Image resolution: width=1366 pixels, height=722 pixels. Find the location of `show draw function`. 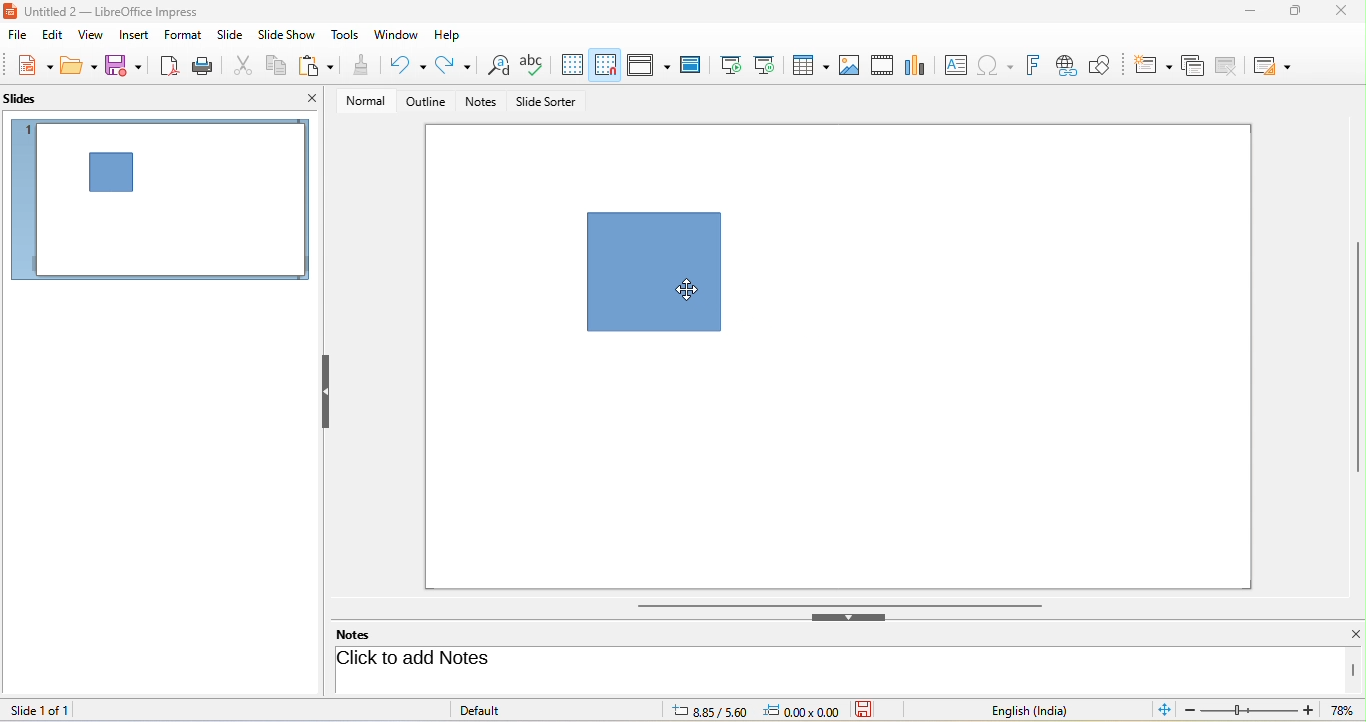

show draw function is located at coordinates (1109, 63).